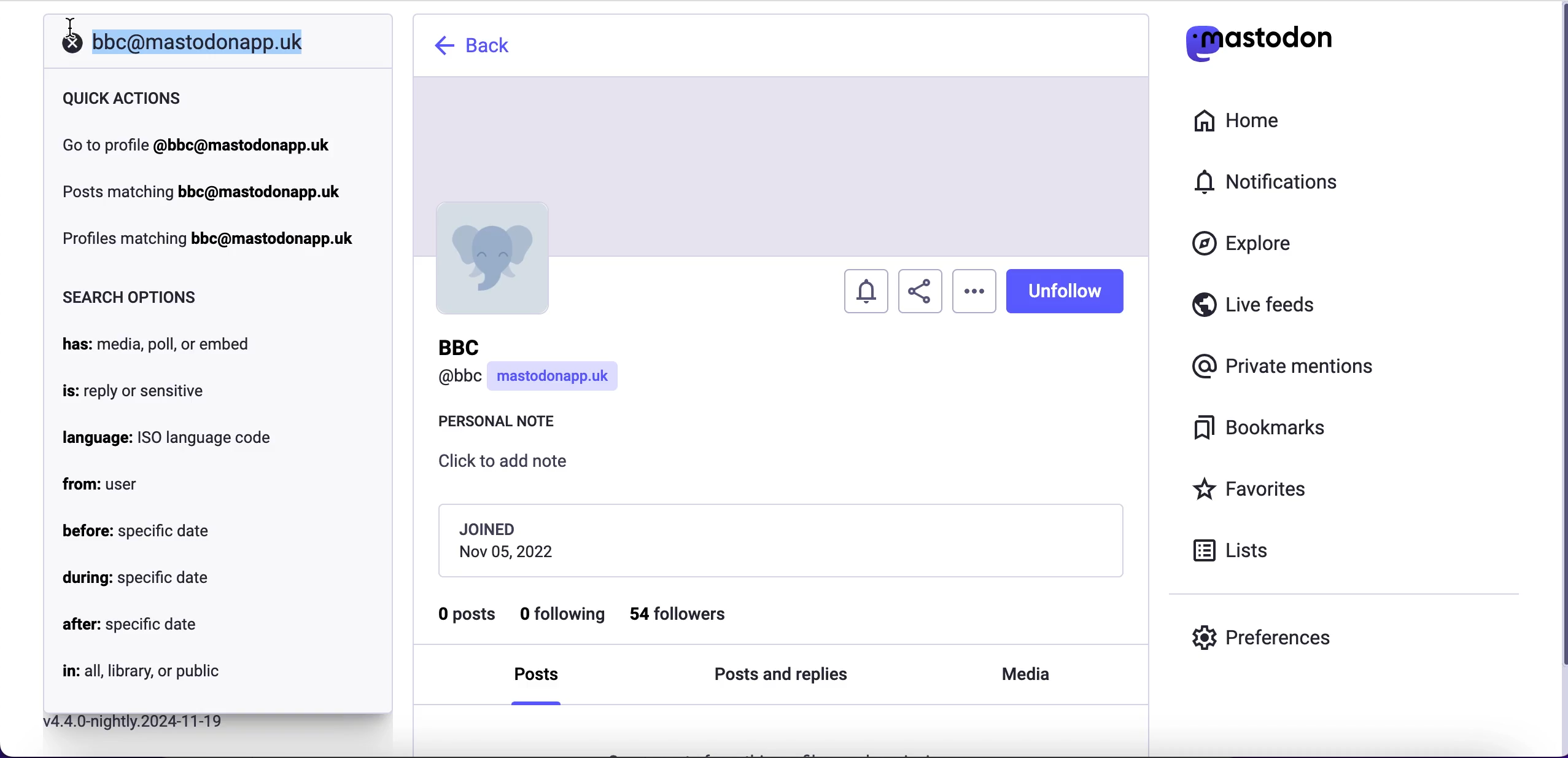  I want to click on has: media, so click(163, 345).